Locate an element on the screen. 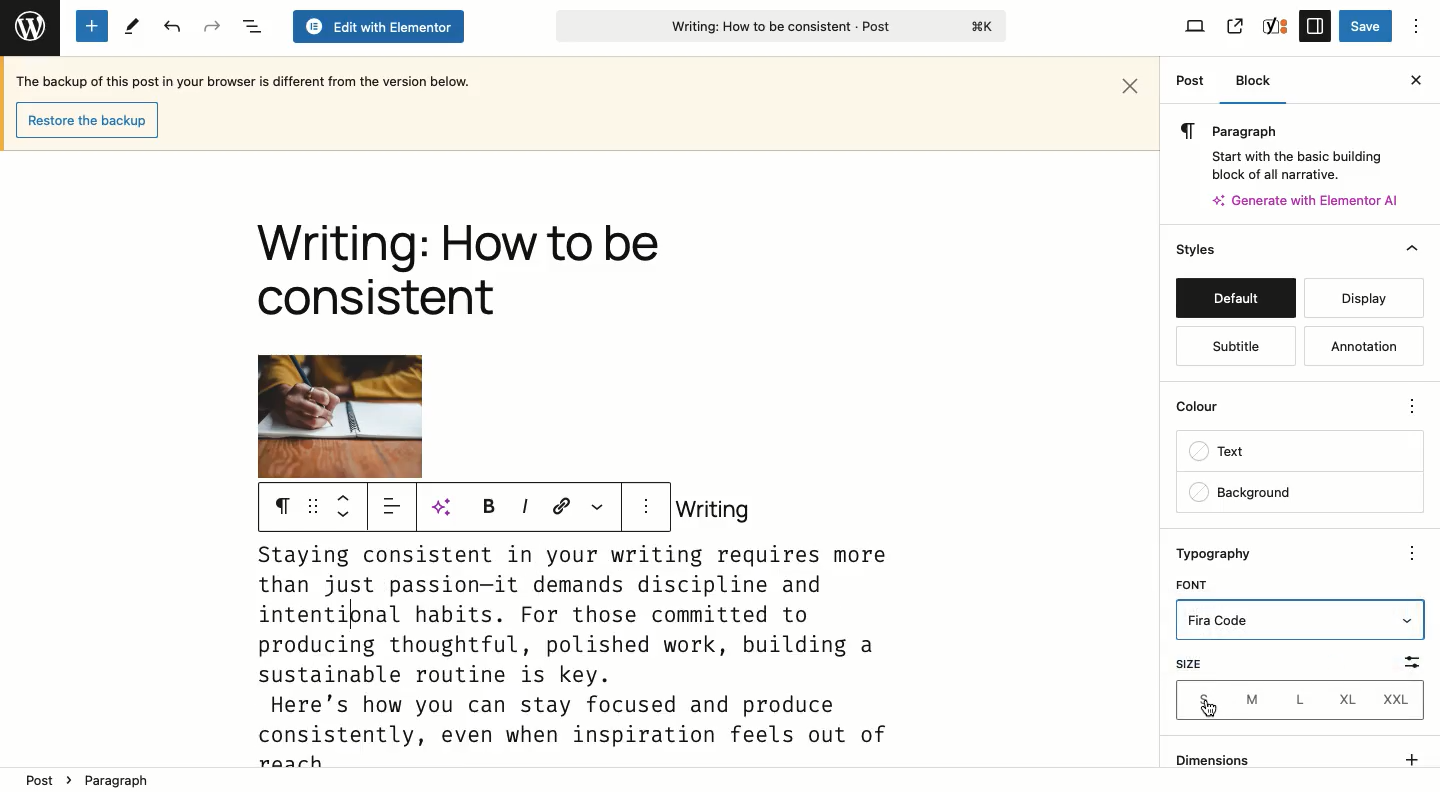  Fira code is located at coordinates (1302, 622).